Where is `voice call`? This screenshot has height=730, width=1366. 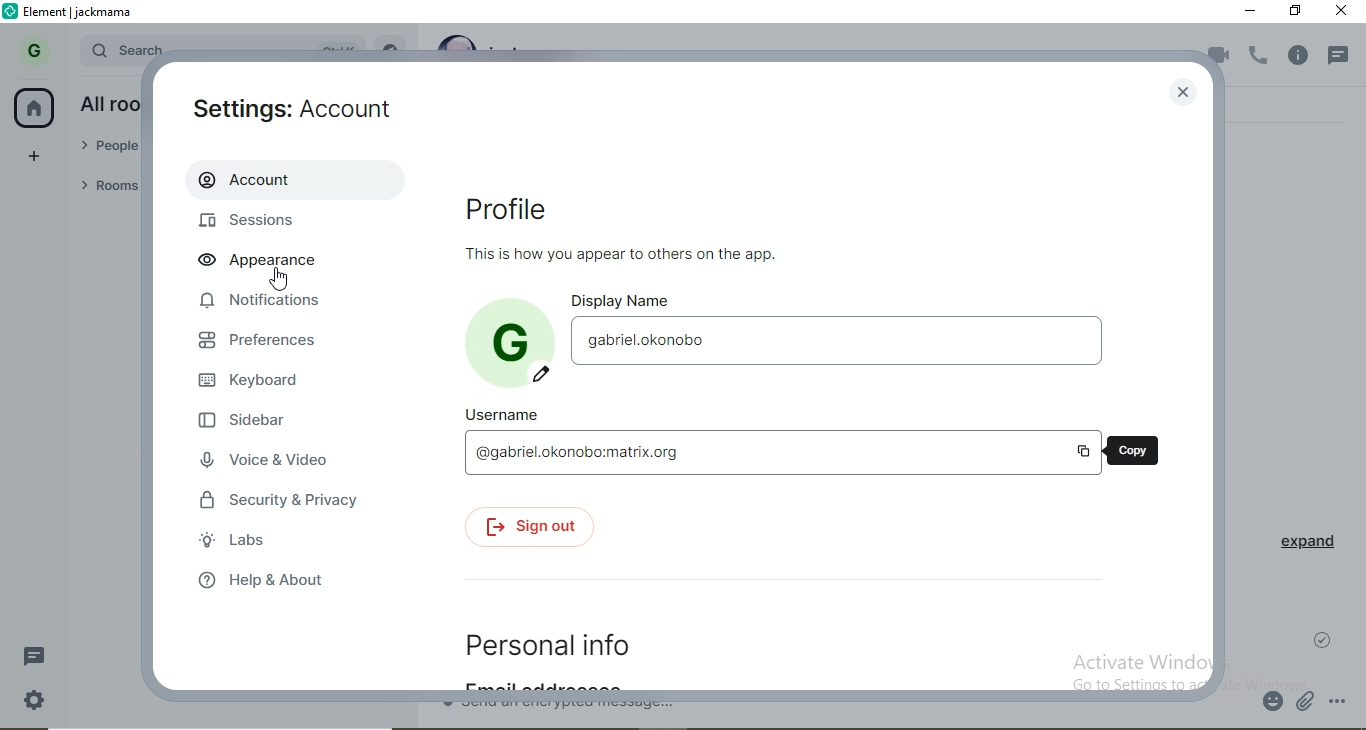
voice call is located at coordinates (1260, 57).